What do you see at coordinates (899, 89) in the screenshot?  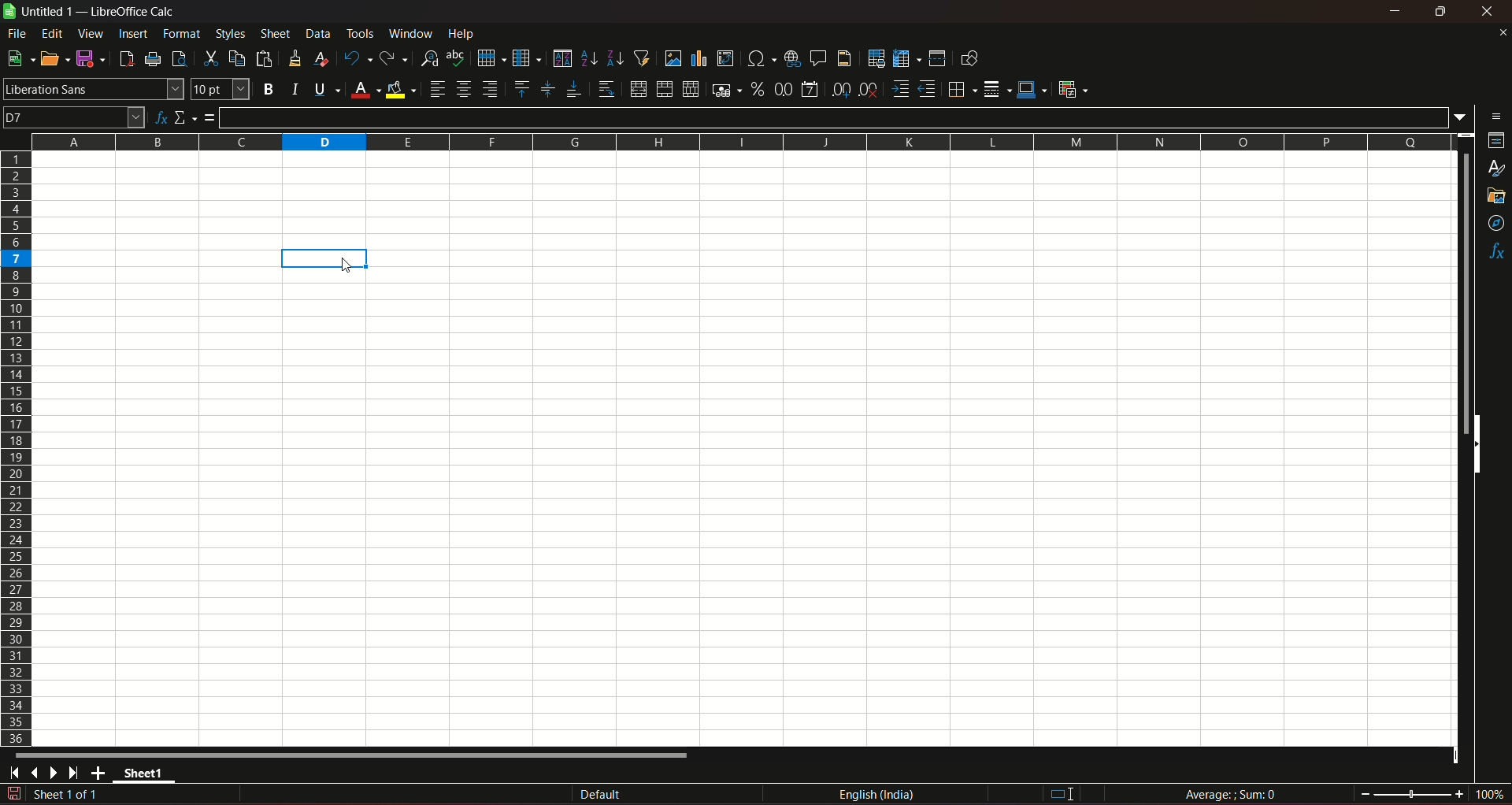 I see `increase indent` at bounding box center [899, 89].